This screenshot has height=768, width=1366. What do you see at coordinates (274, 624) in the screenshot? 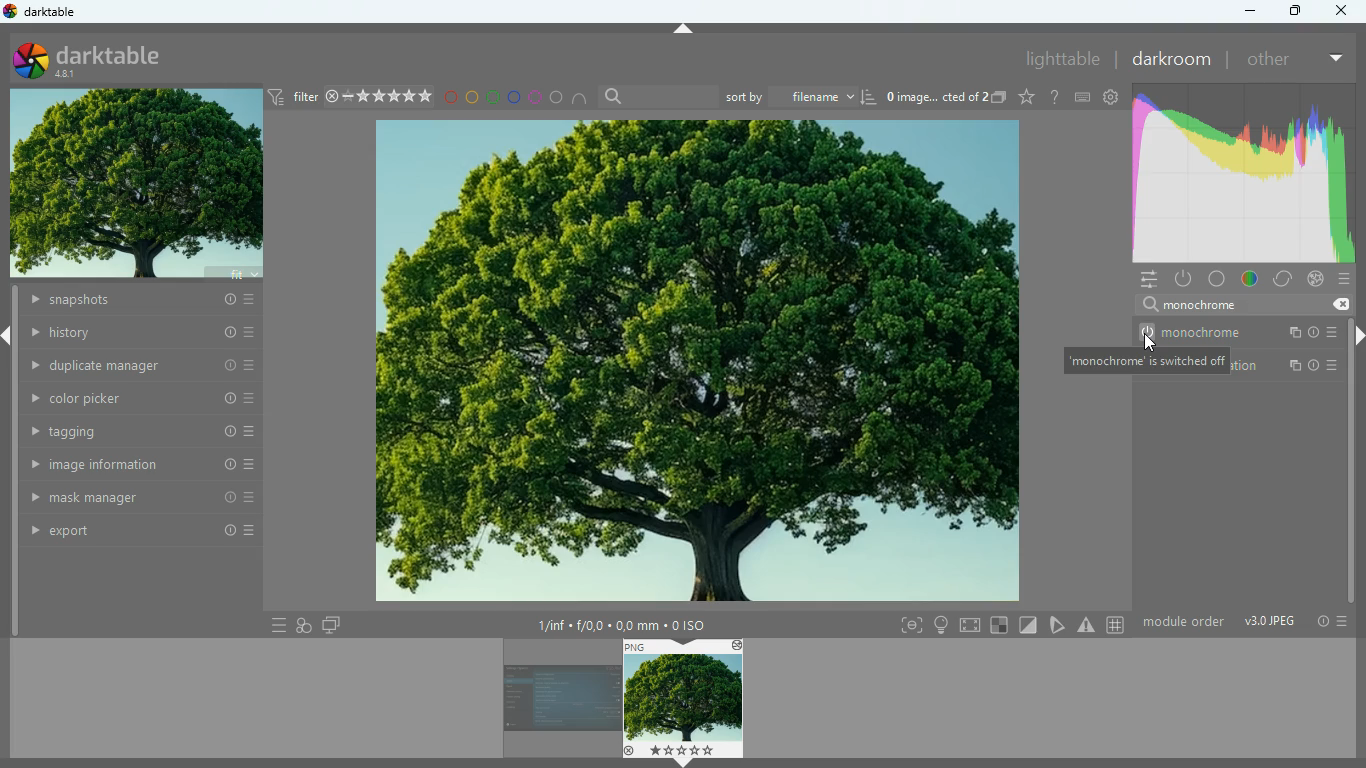
I see `menu` at bounding box center [274, 624].